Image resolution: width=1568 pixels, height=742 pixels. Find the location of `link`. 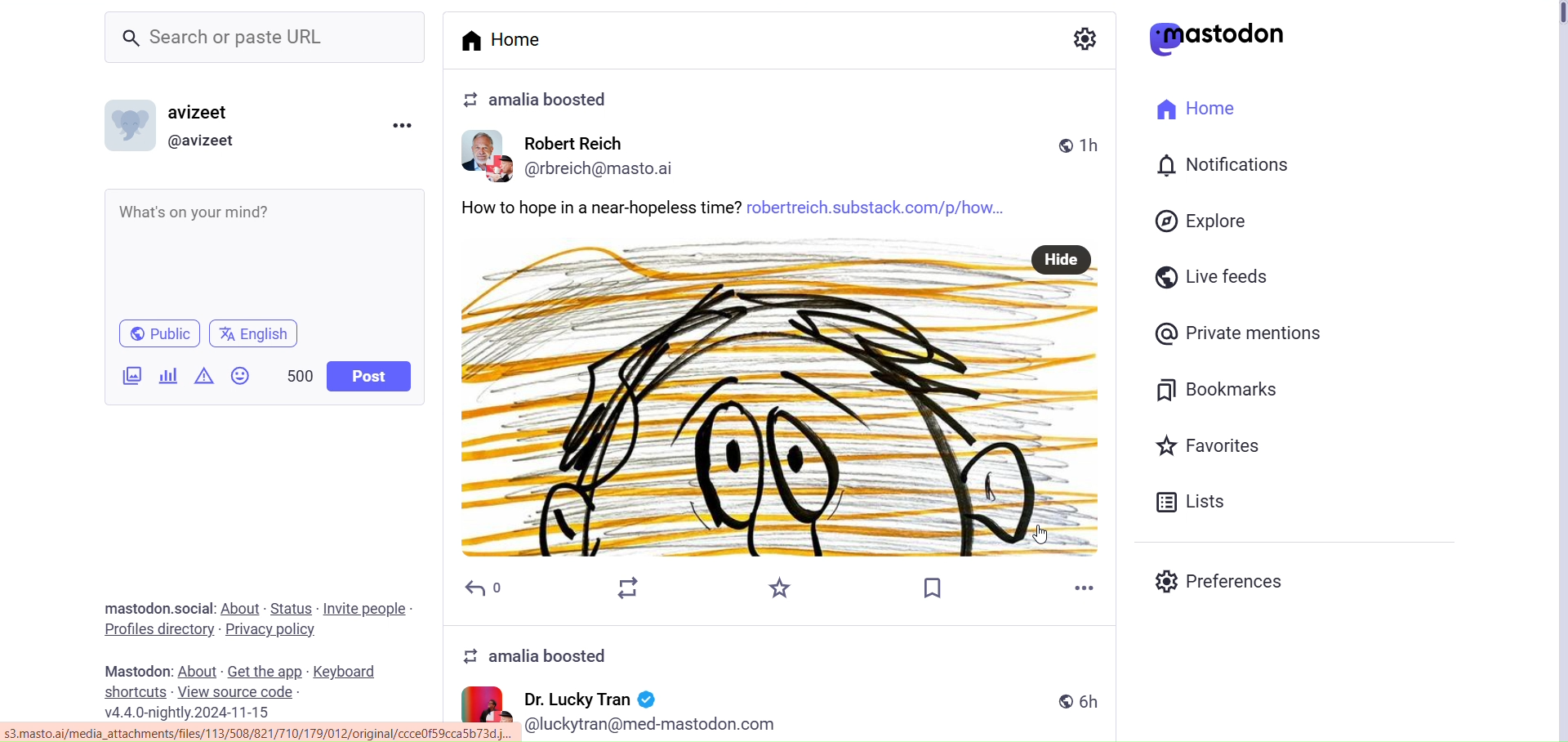

link is located at coordinates (256, 734).